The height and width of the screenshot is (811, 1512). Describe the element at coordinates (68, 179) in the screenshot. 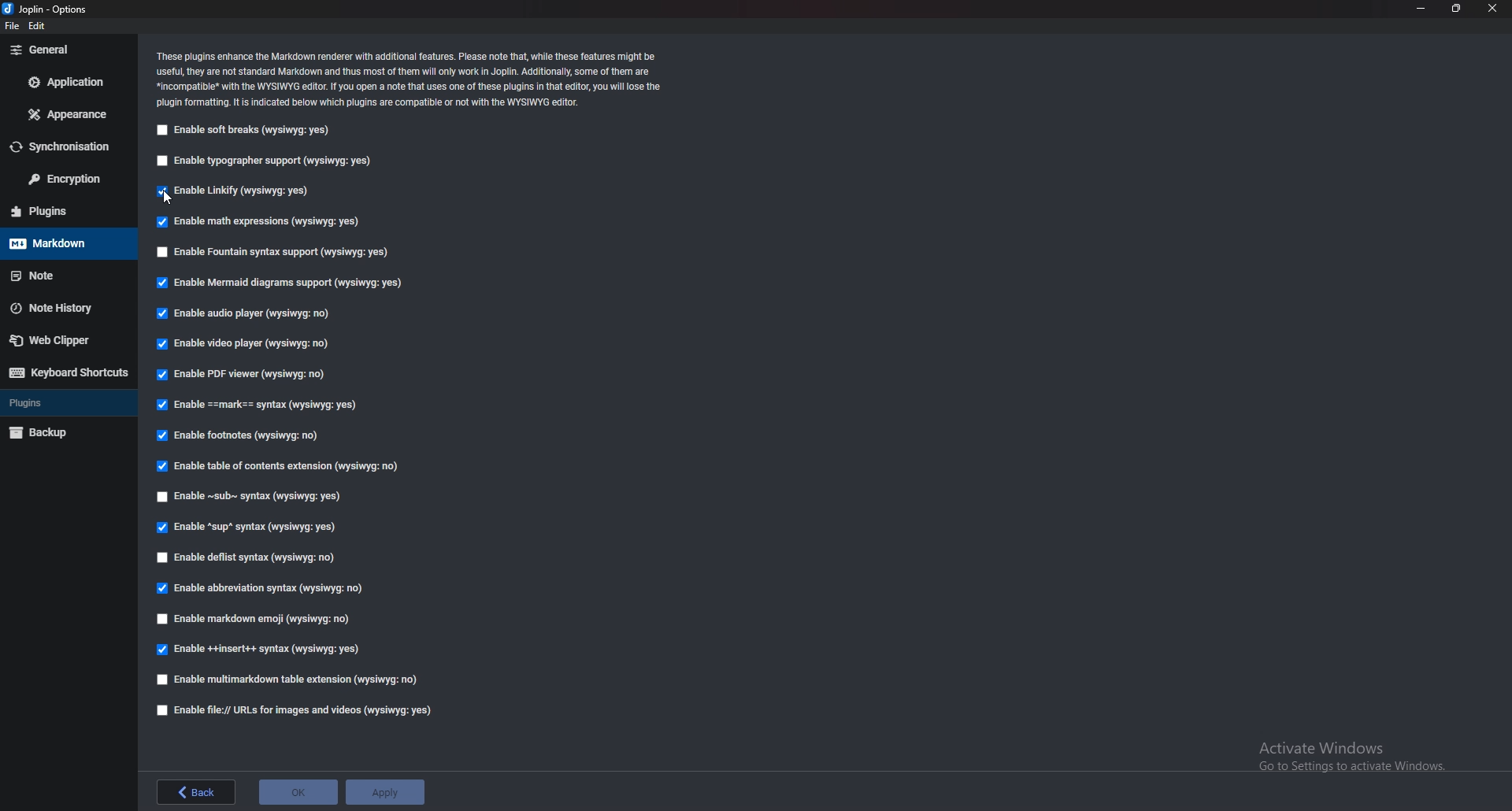

I see `encryption` at that location.